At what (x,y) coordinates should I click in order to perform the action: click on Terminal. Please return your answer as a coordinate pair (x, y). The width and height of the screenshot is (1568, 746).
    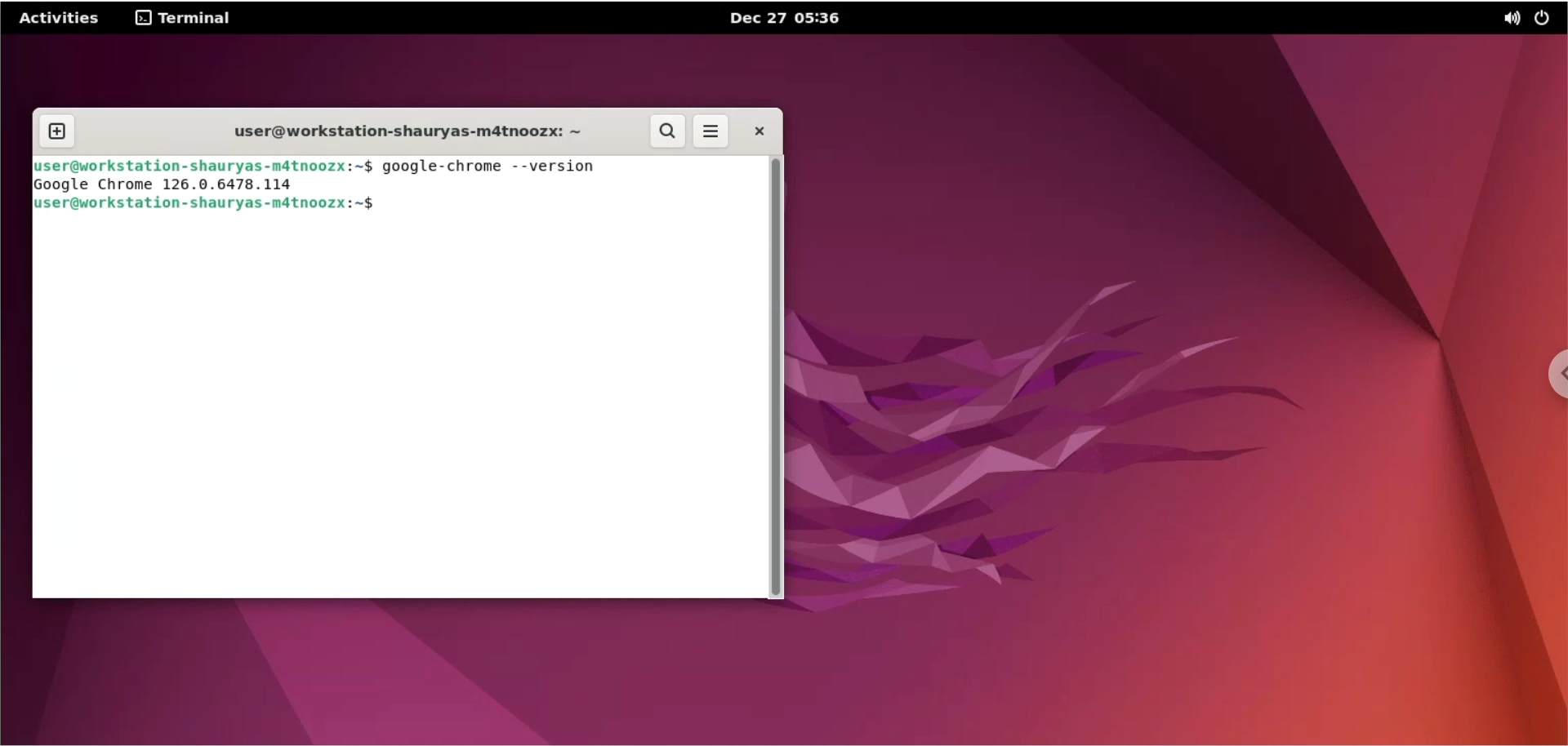
    Looking at the image, I should click on (183, 18).